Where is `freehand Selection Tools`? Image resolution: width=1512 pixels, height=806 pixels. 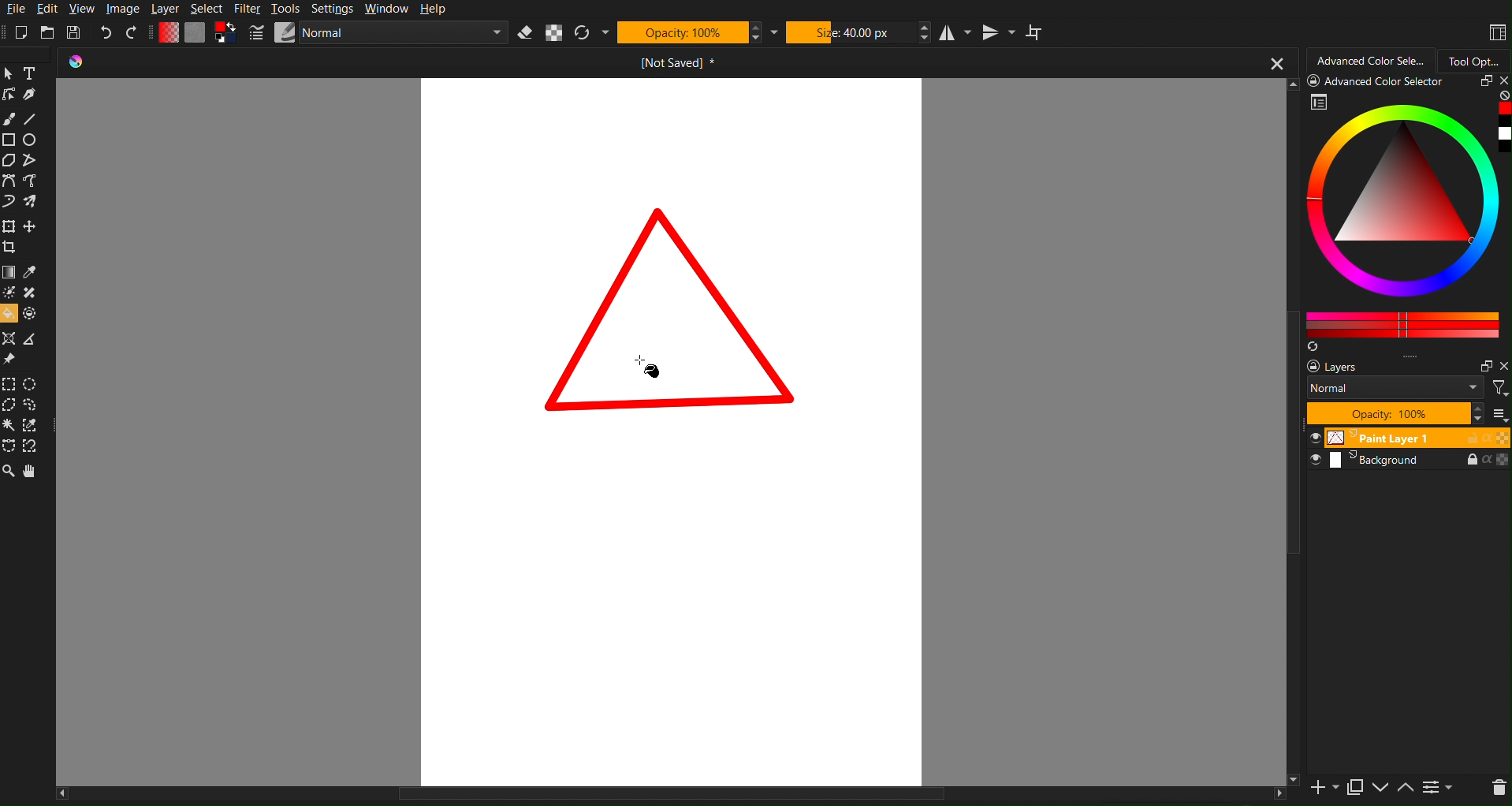
freehand Selection Tools is located at coordinates (36, 405).